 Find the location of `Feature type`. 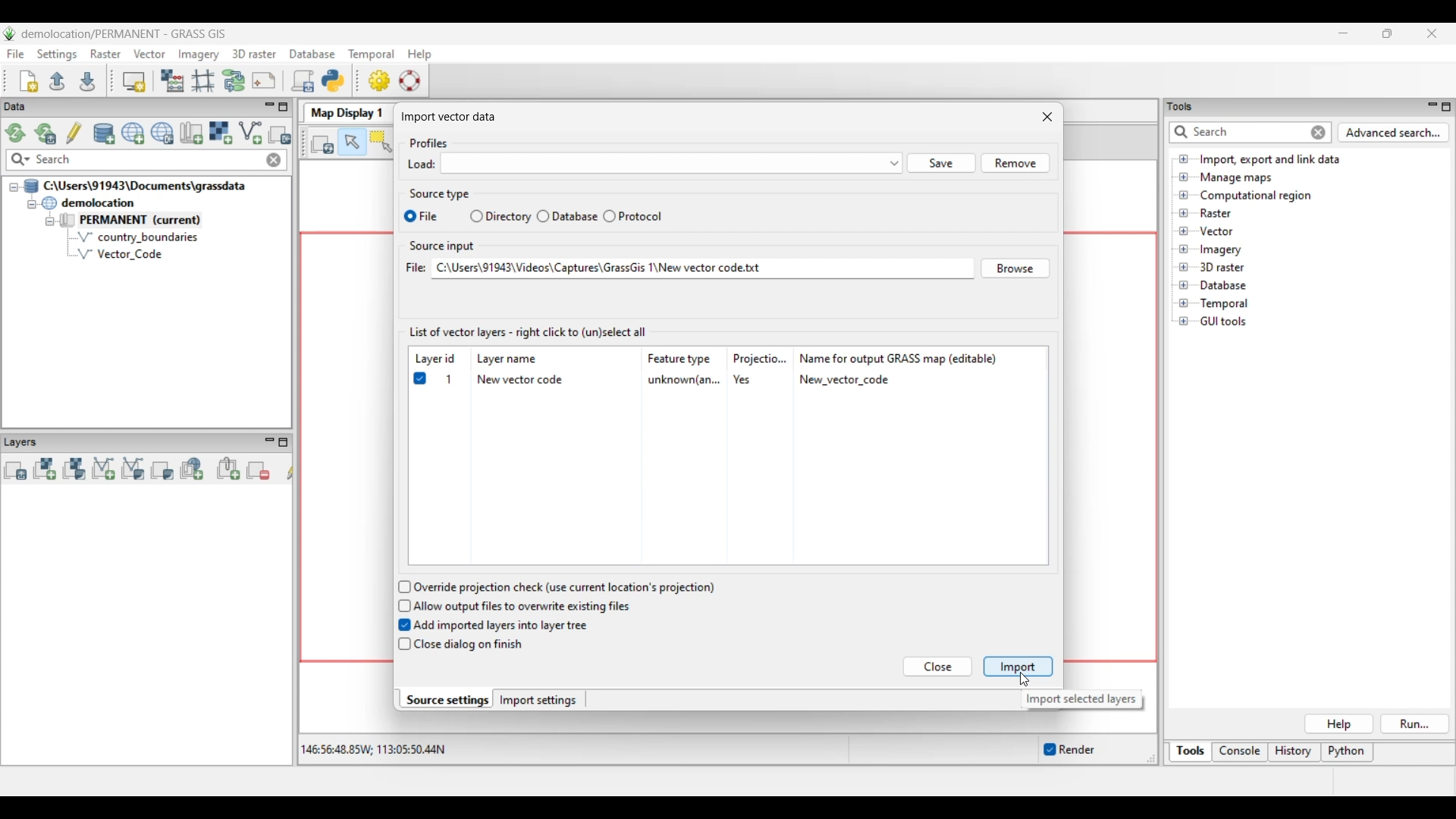

Feature type is located at coordinates (682, 358).